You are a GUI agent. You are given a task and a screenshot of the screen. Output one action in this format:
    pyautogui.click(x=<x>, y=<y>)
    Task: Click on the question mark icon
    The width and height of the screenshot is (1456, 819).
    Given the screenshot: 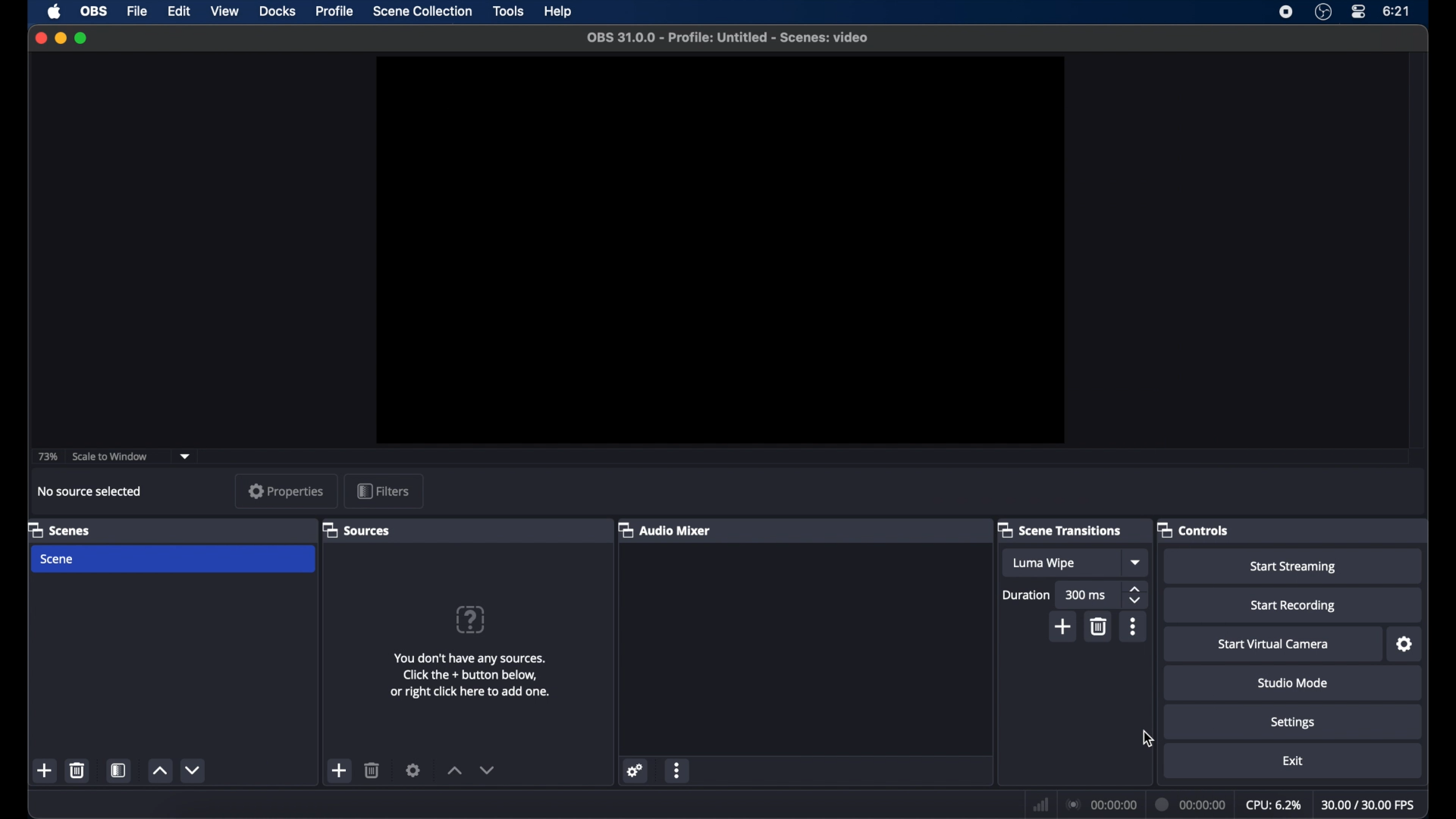 What is the action you would take?
    pyautogui.click(x=469, y=620)
    